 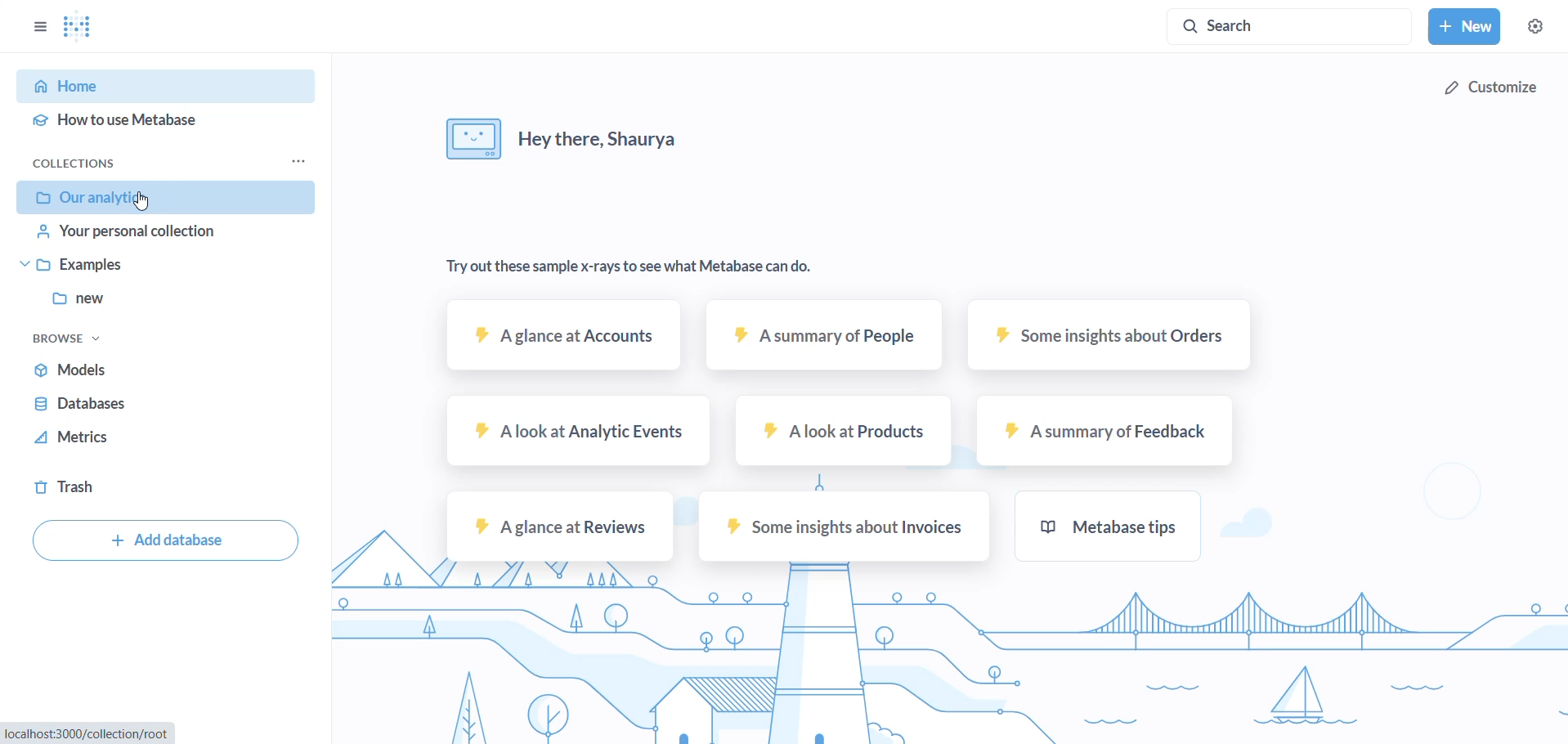 I want to click on new, so click(x=1467, y=26).